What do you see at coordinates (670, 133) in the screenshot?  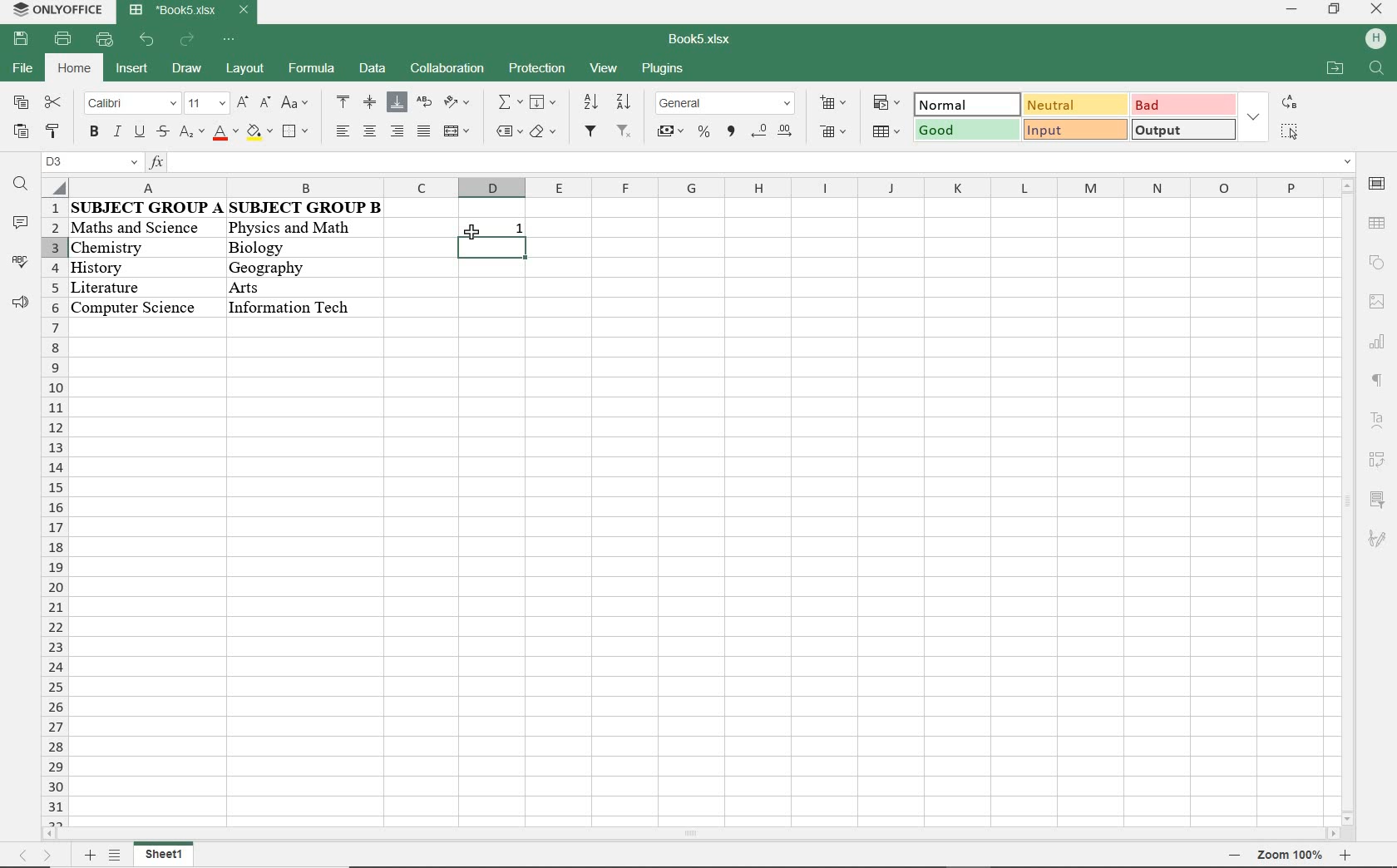 I see `accounting style` at bounding box center [670, 133].